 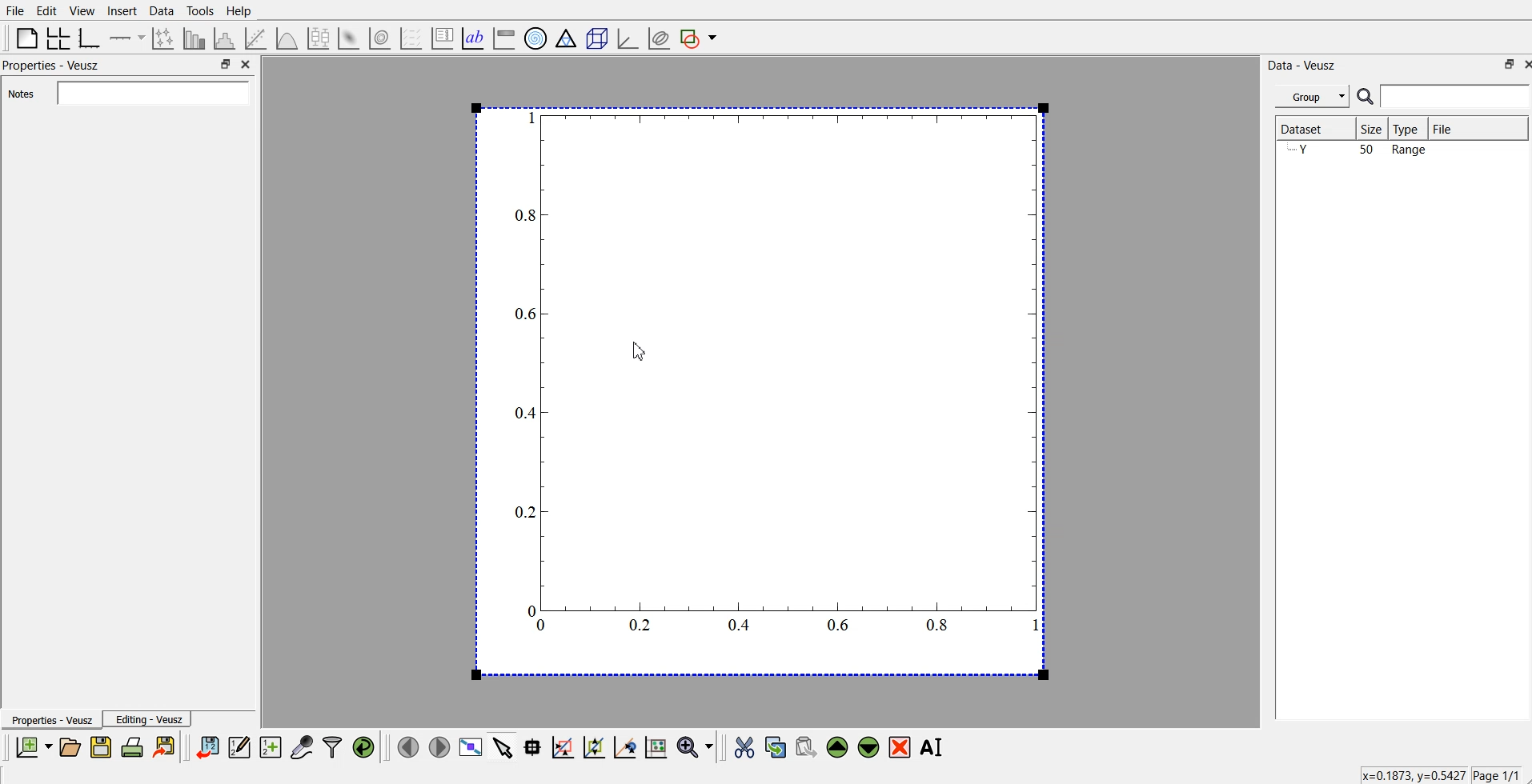 I want to click on 3d scenes, so click(x=595, y=35).